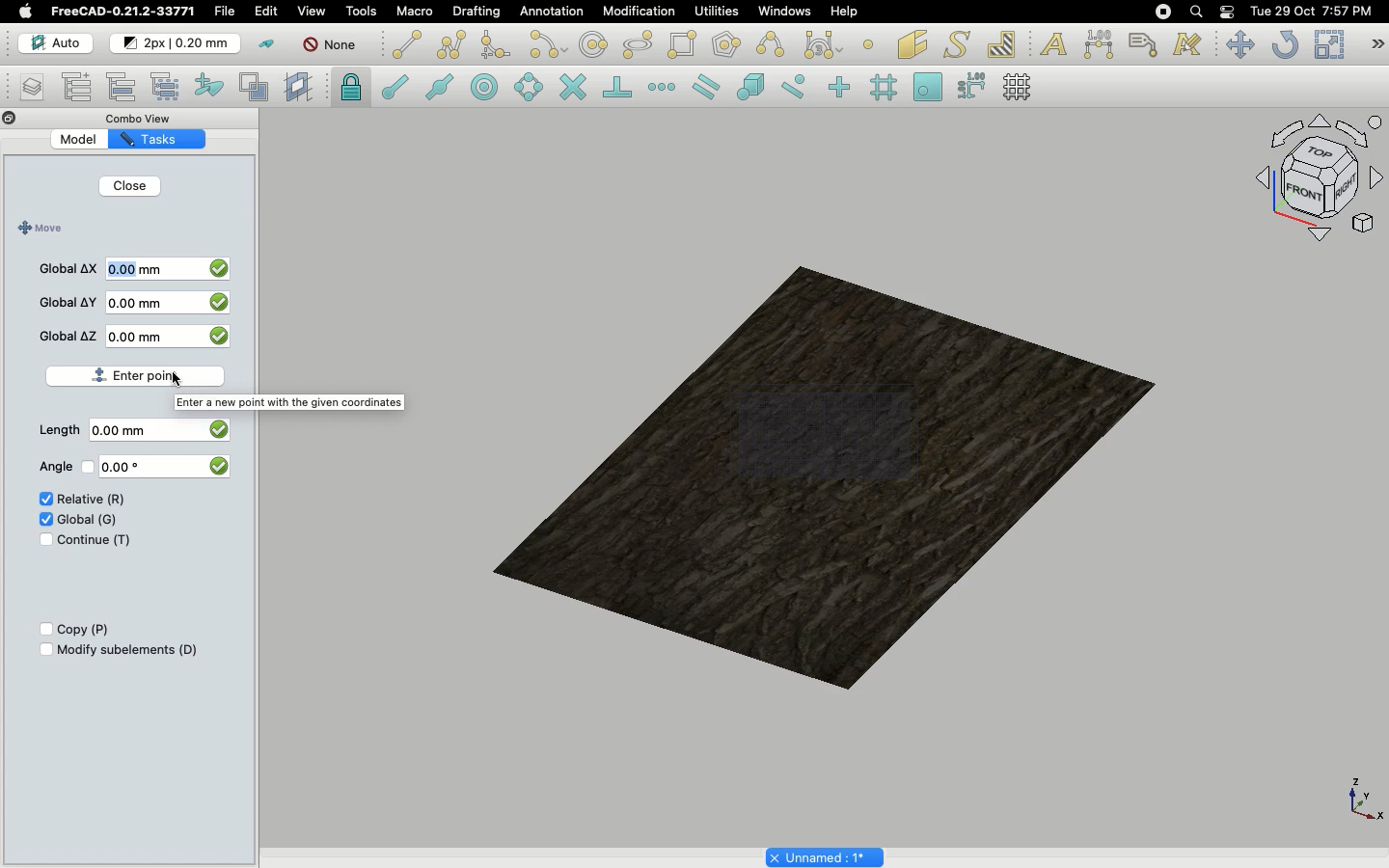  What do you see at coordinates (165, 337) in the screenshot?
I see `0.00 mm` at bounding box center [165, 337].